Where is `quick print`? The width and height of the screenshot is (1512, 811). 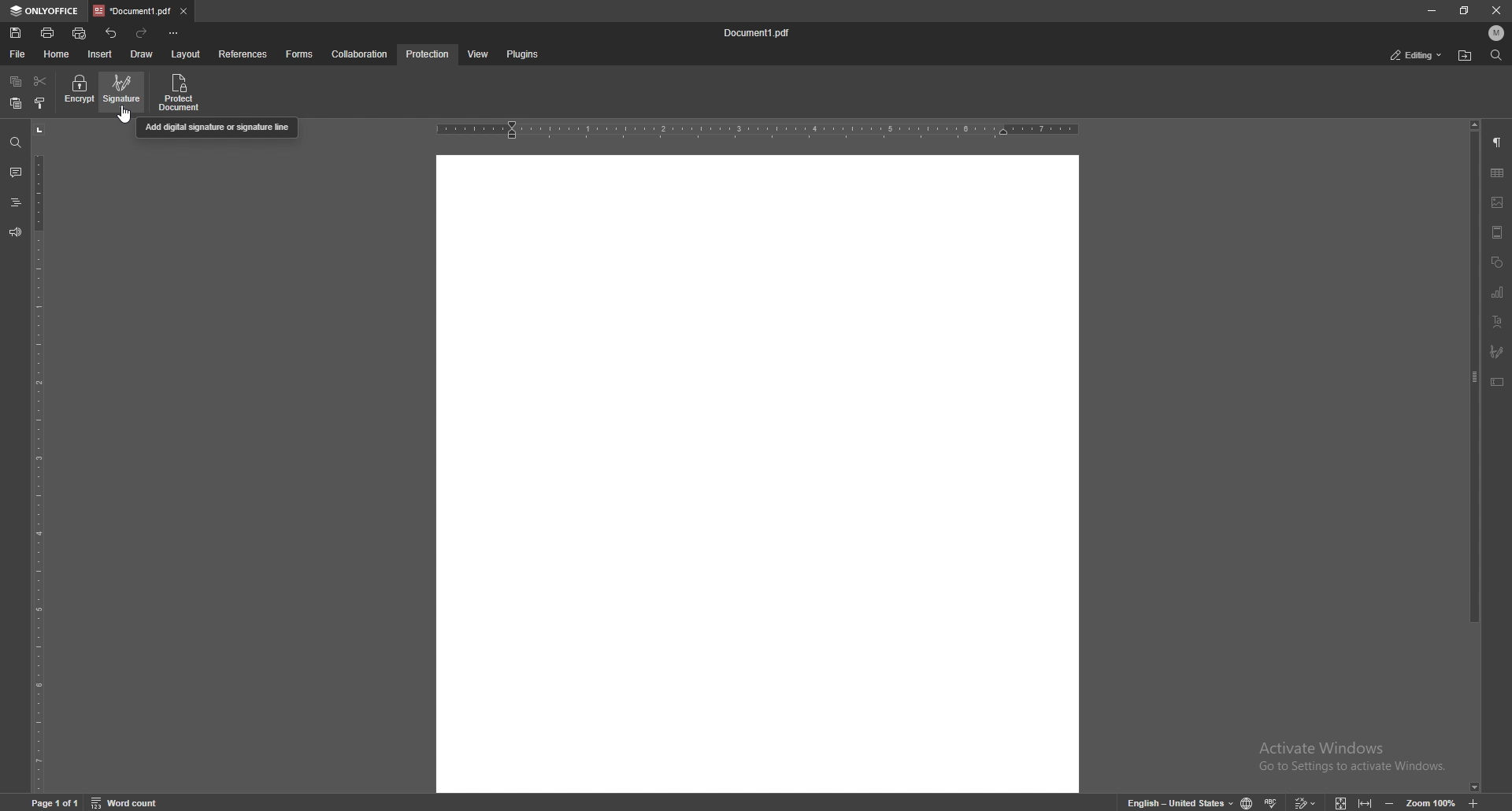 quick print is located at coordinates (80, 35).